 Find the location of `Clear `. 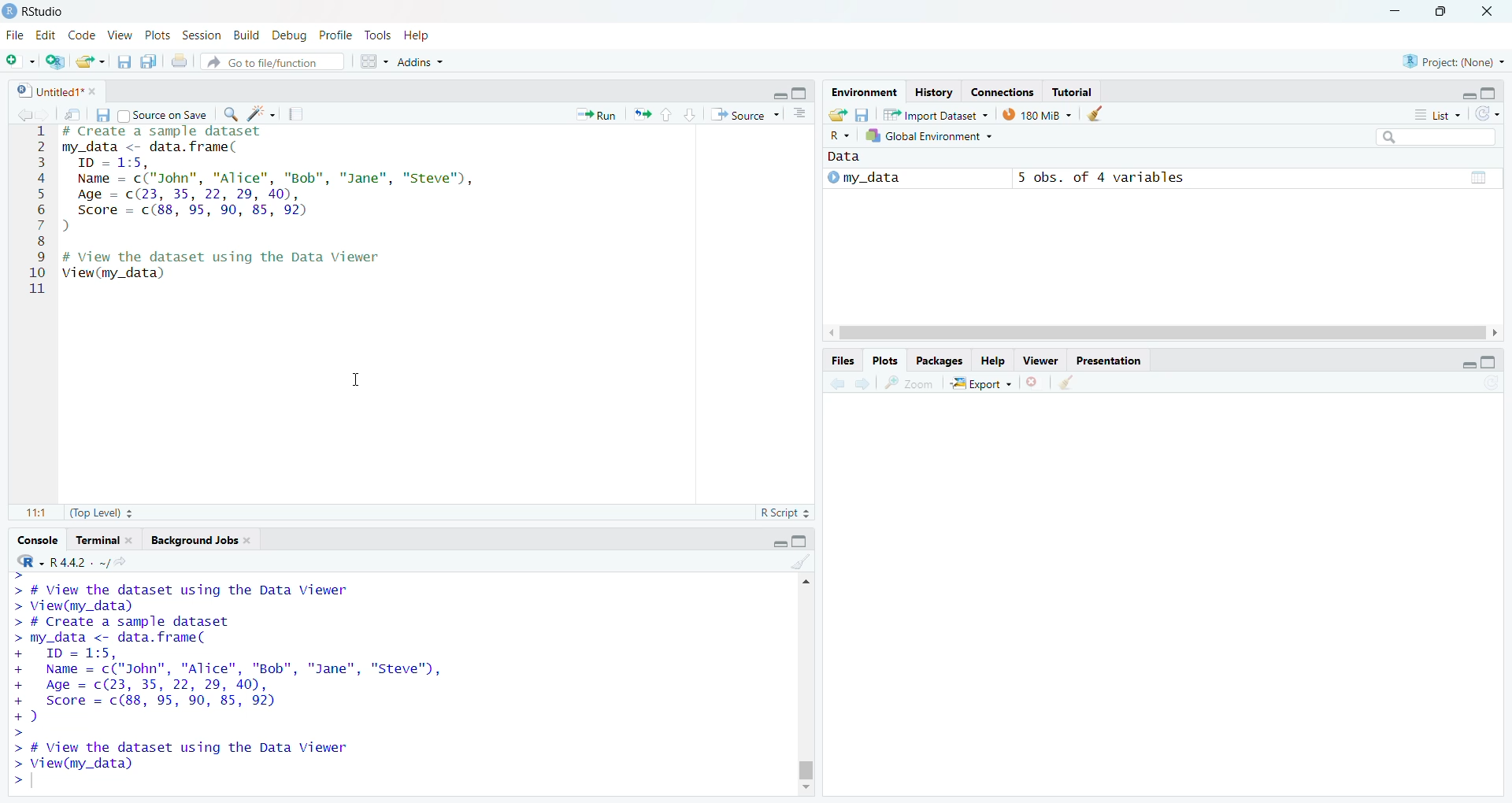

Clear  is located at coordinates (263, 114).